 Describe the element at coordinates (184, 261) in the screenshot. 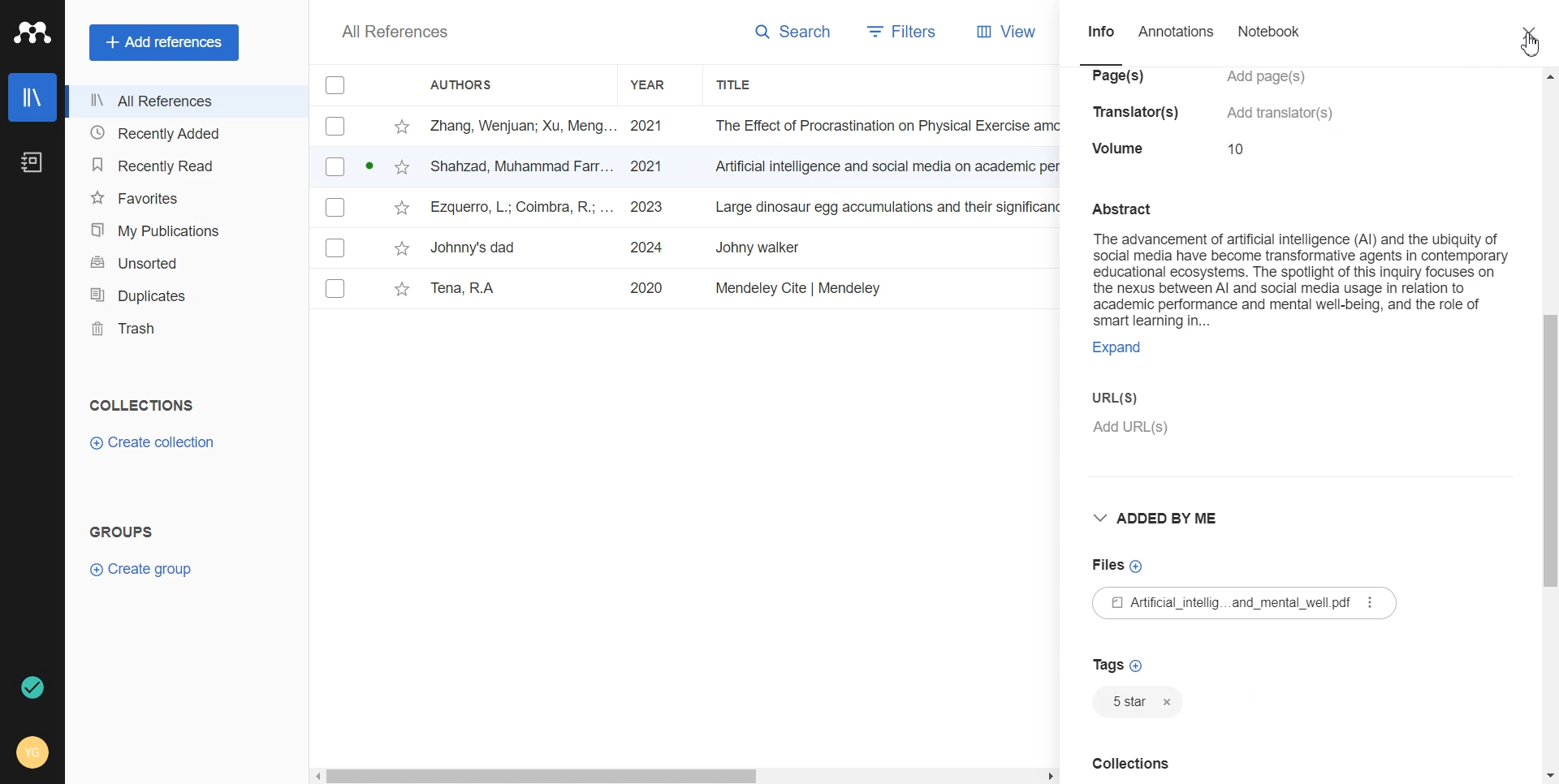

I see `Unsorted` at that location.